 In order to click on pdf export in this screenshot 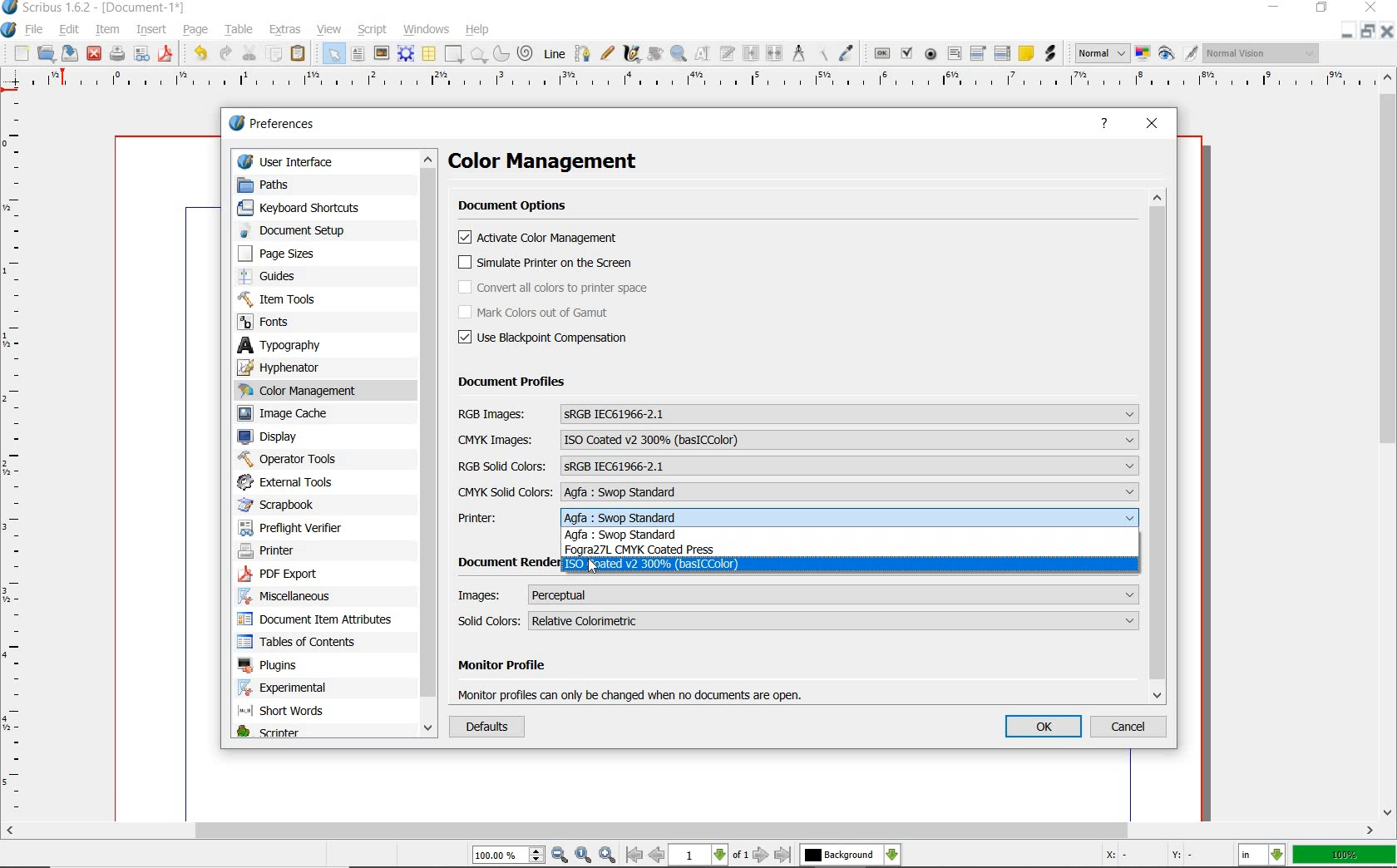, I will do `click(309, 574)`.